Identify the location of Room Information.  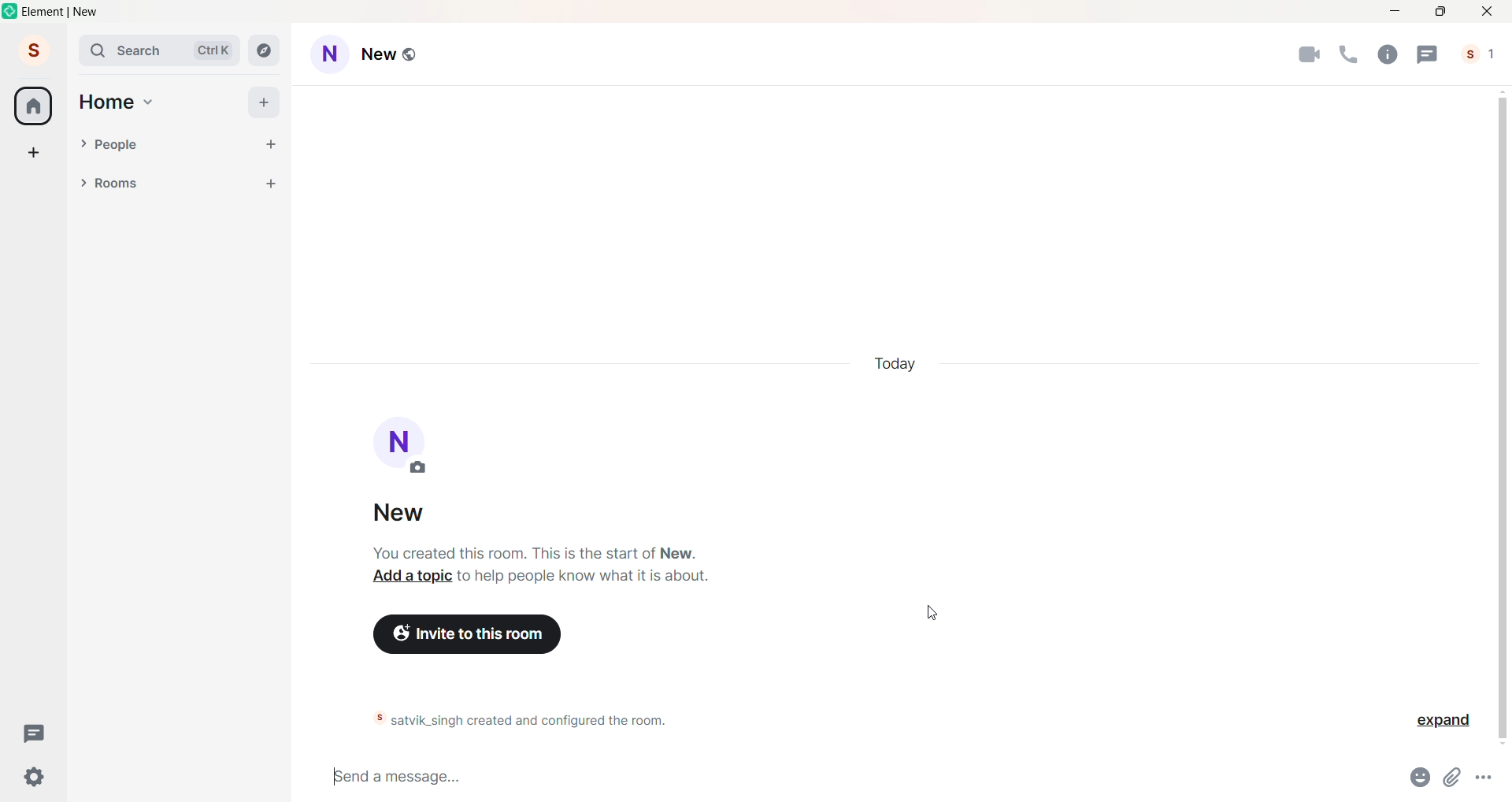
(1386, 54).